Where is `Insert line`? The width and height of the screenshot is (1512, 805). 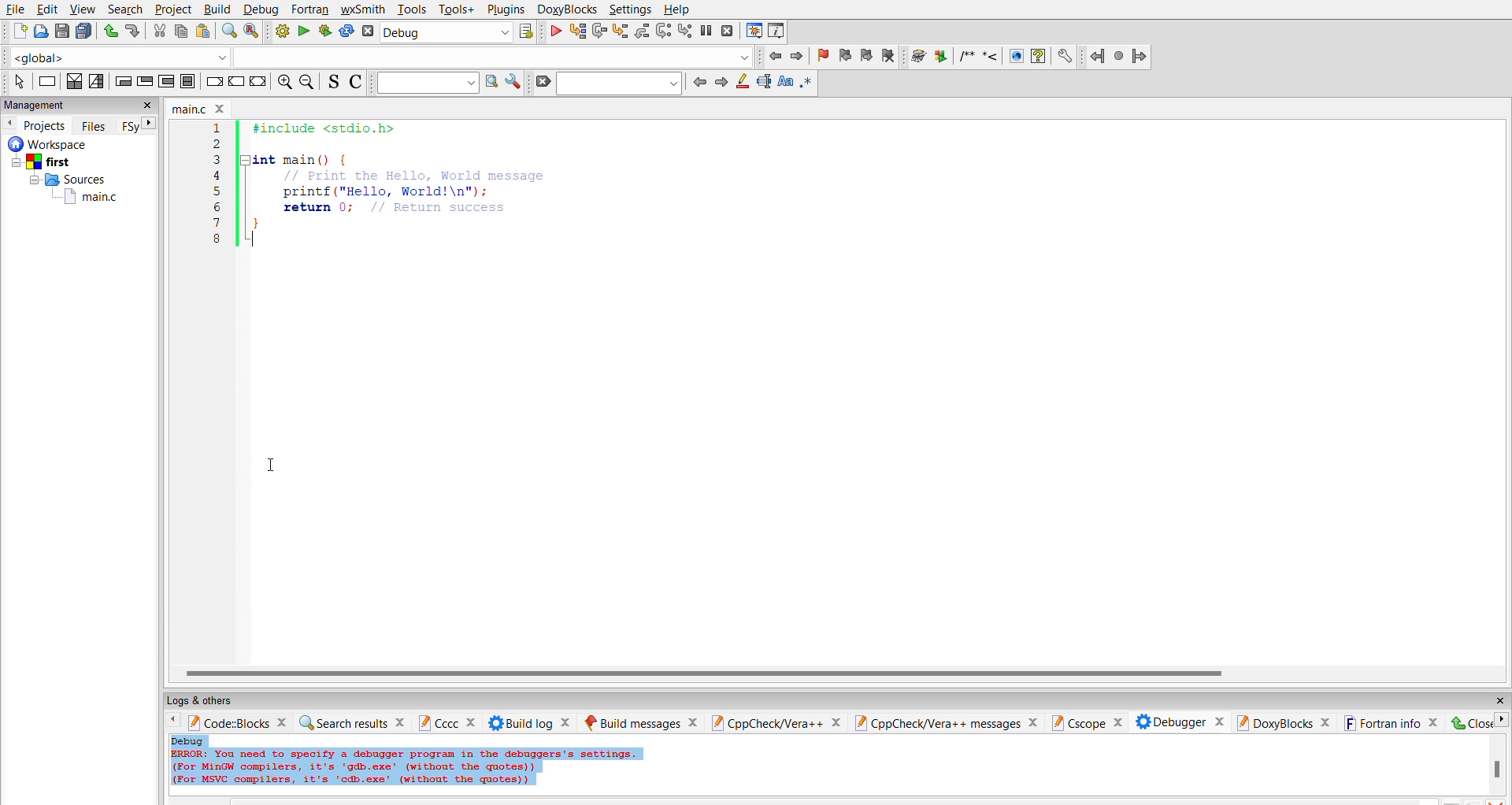
Insert line is located at coordinates (991, 56).